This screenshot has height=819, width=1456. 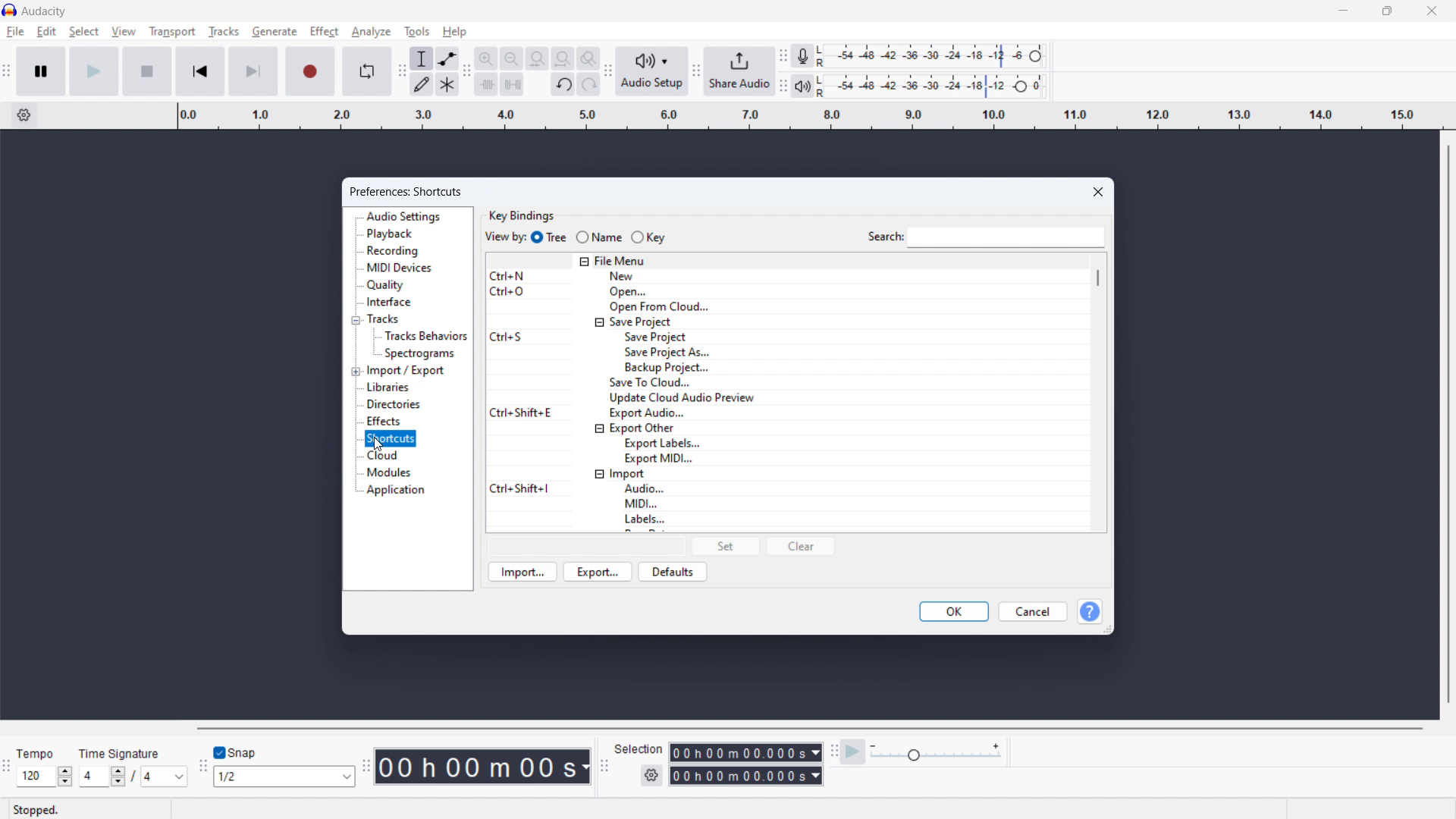 What do you see at coordinates (422, 83) in the screenshot?
I see `draw tool` at bounding box center [422, 83].